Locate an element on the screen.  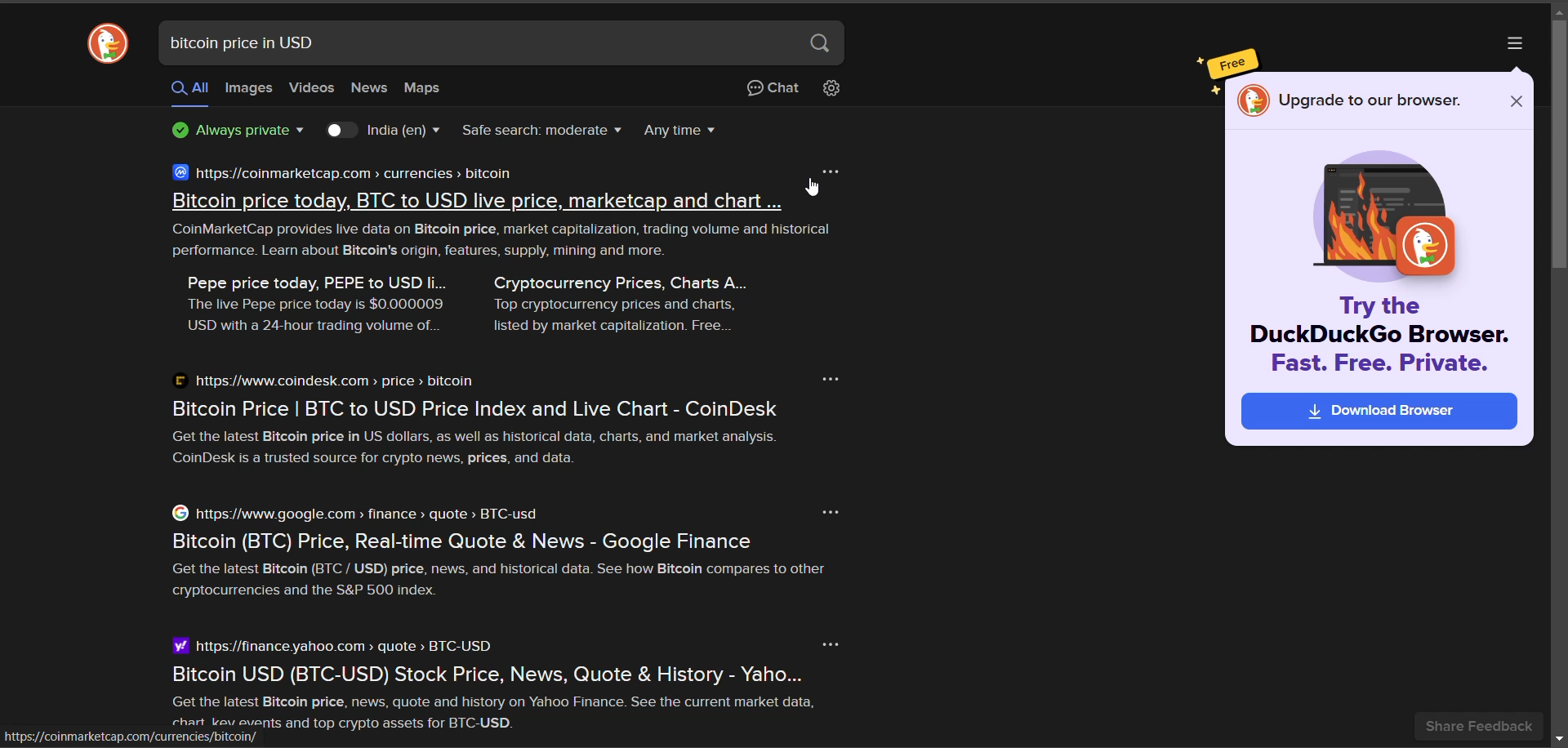
Get the latest Bitcoin price, news, quote and history on Yahoo Finance. See the current market data,
; chart eu events and top crypto assets for BTC-USD.
Pap is located at coordinates (474, 710).